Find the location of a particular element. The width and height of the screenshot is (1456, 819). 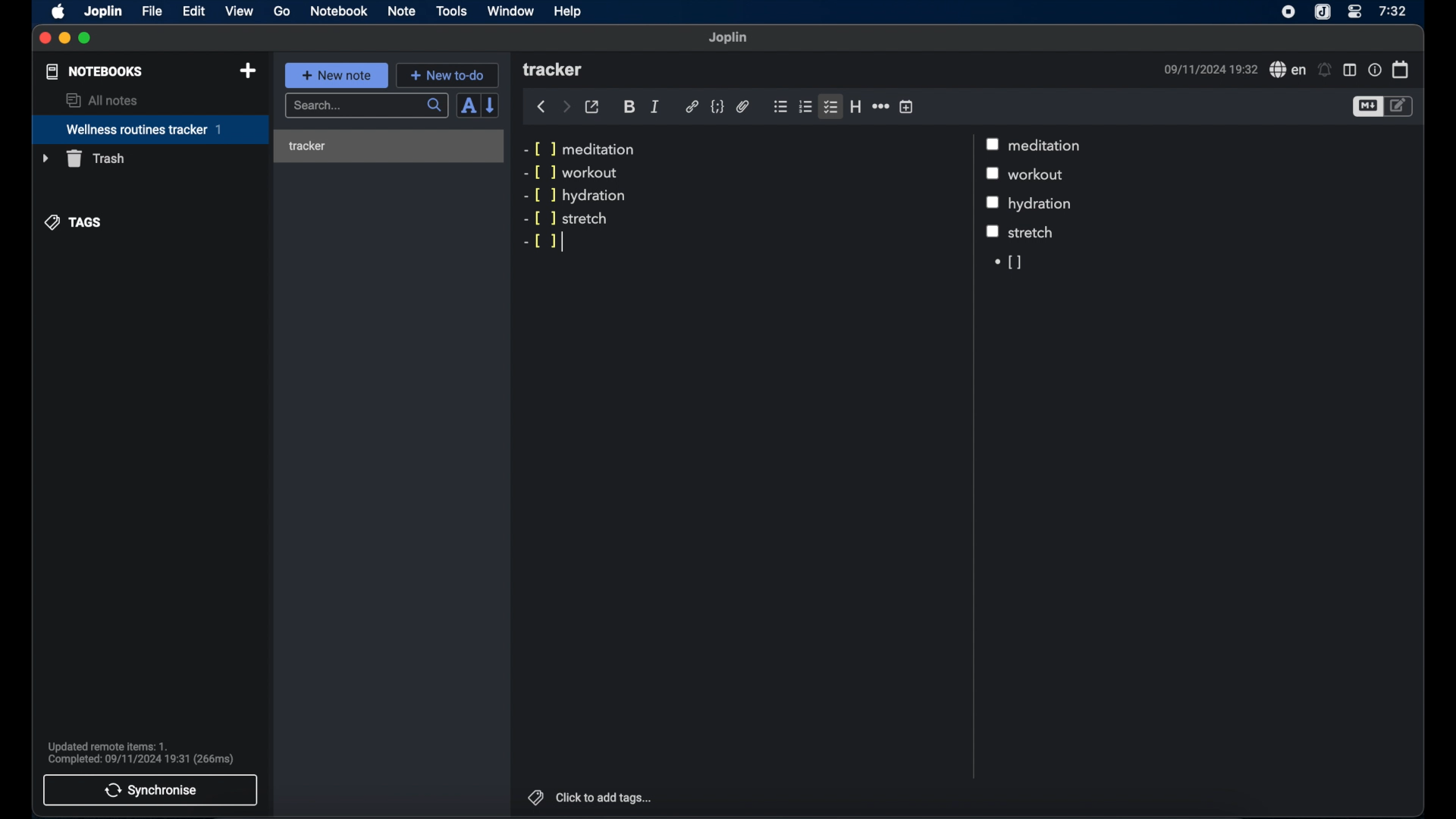

new notebook is located at coordinates (249, 71).